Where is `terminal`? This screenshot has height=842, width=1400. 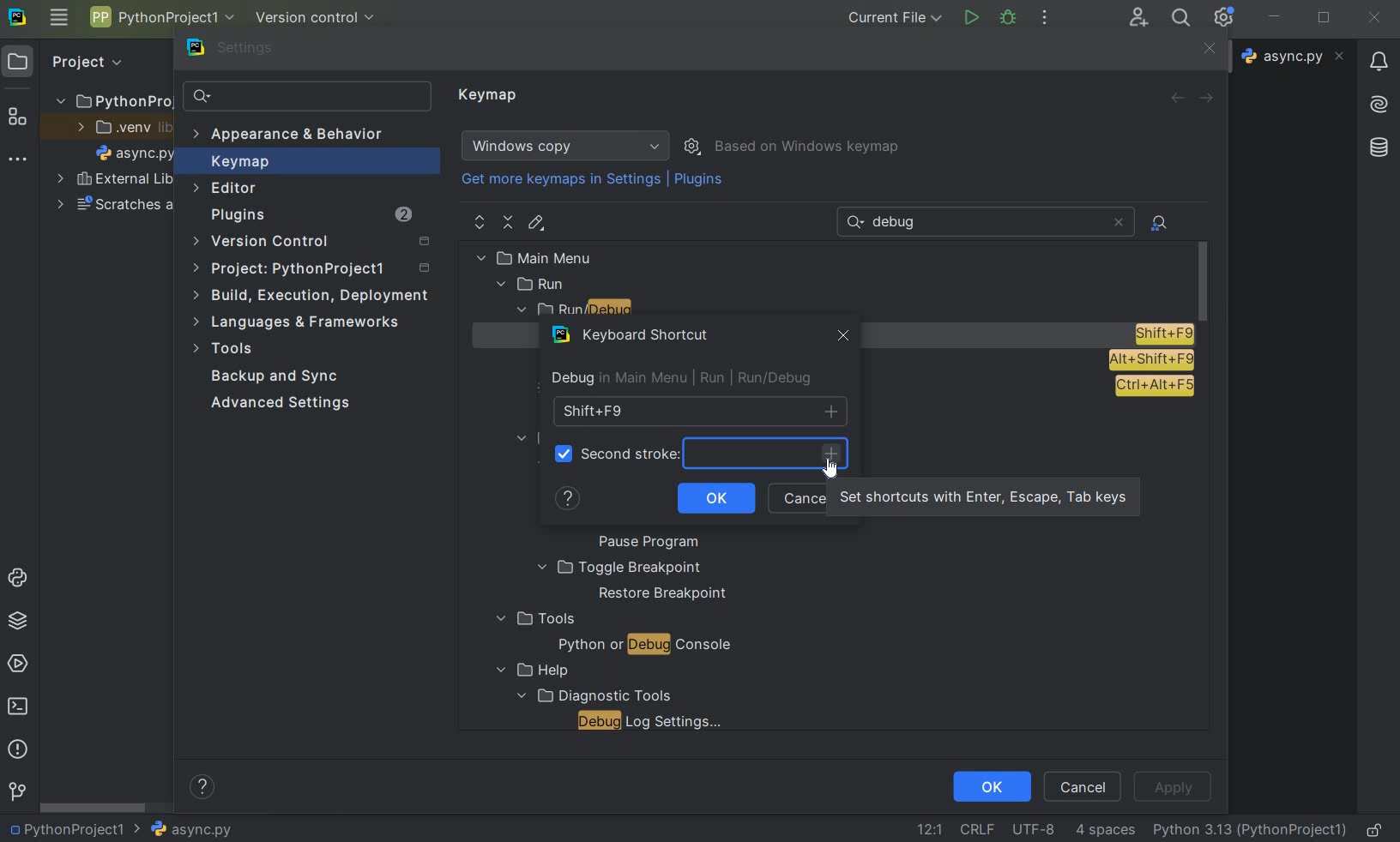 terminal is located at coordinates (20, 706).